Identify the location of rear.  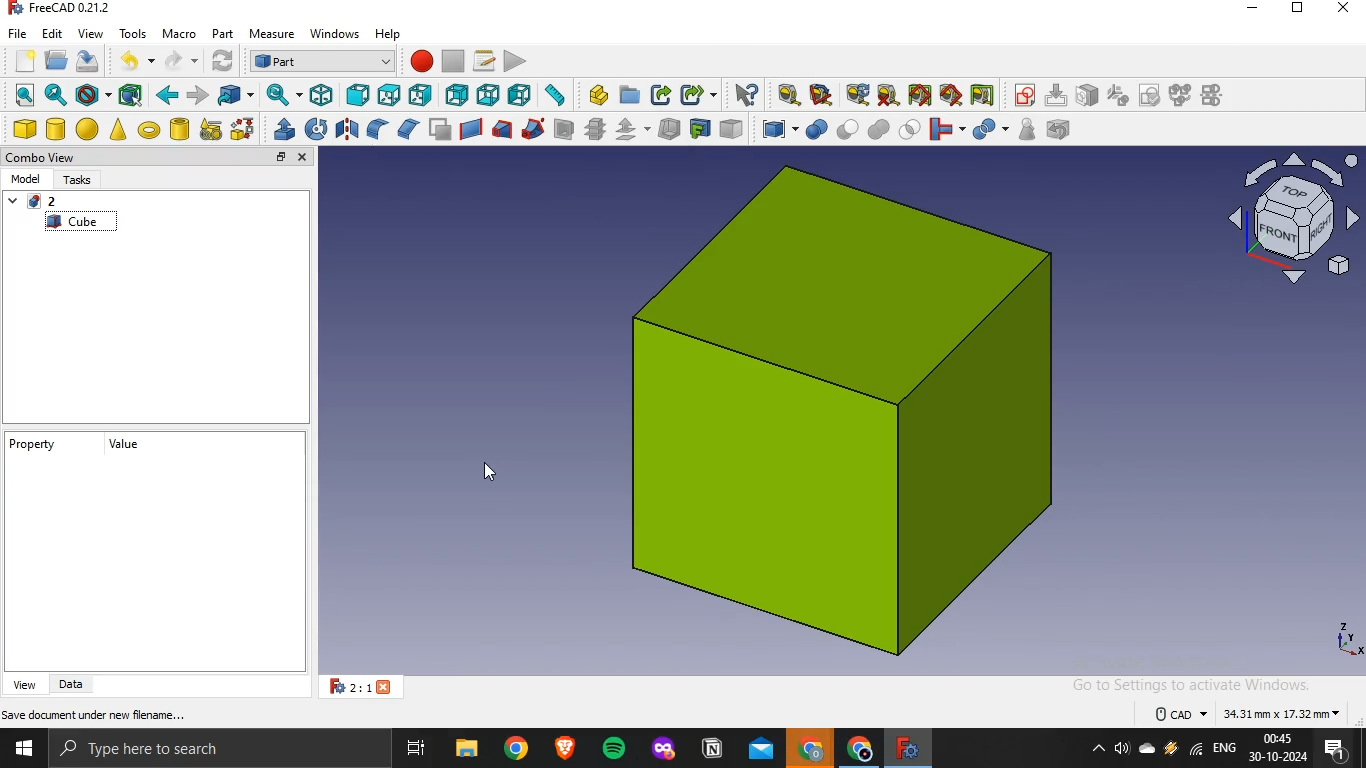
(456, 95).